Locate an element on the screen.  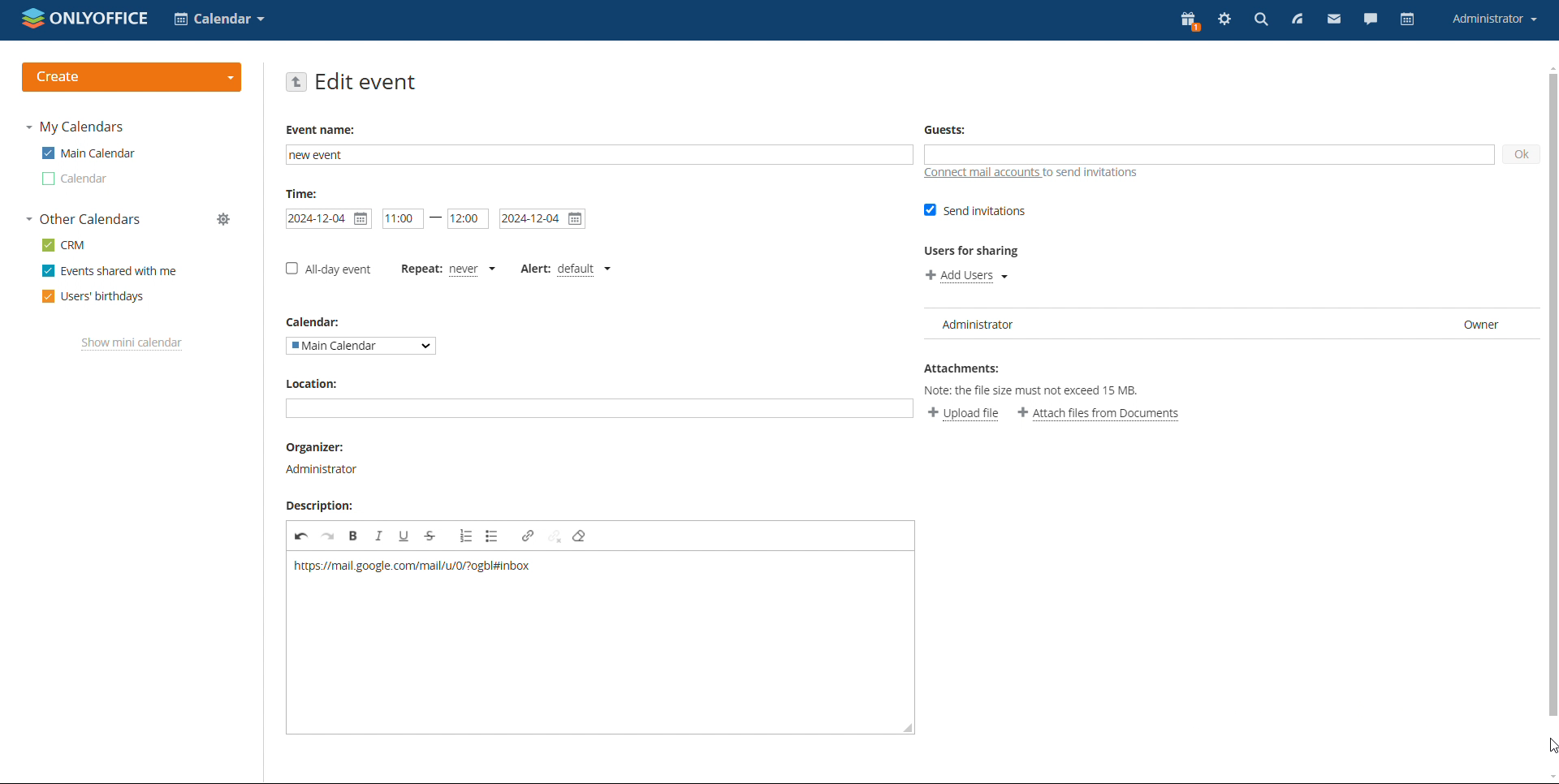
Users for sharing is located at coordinates (972, 252).